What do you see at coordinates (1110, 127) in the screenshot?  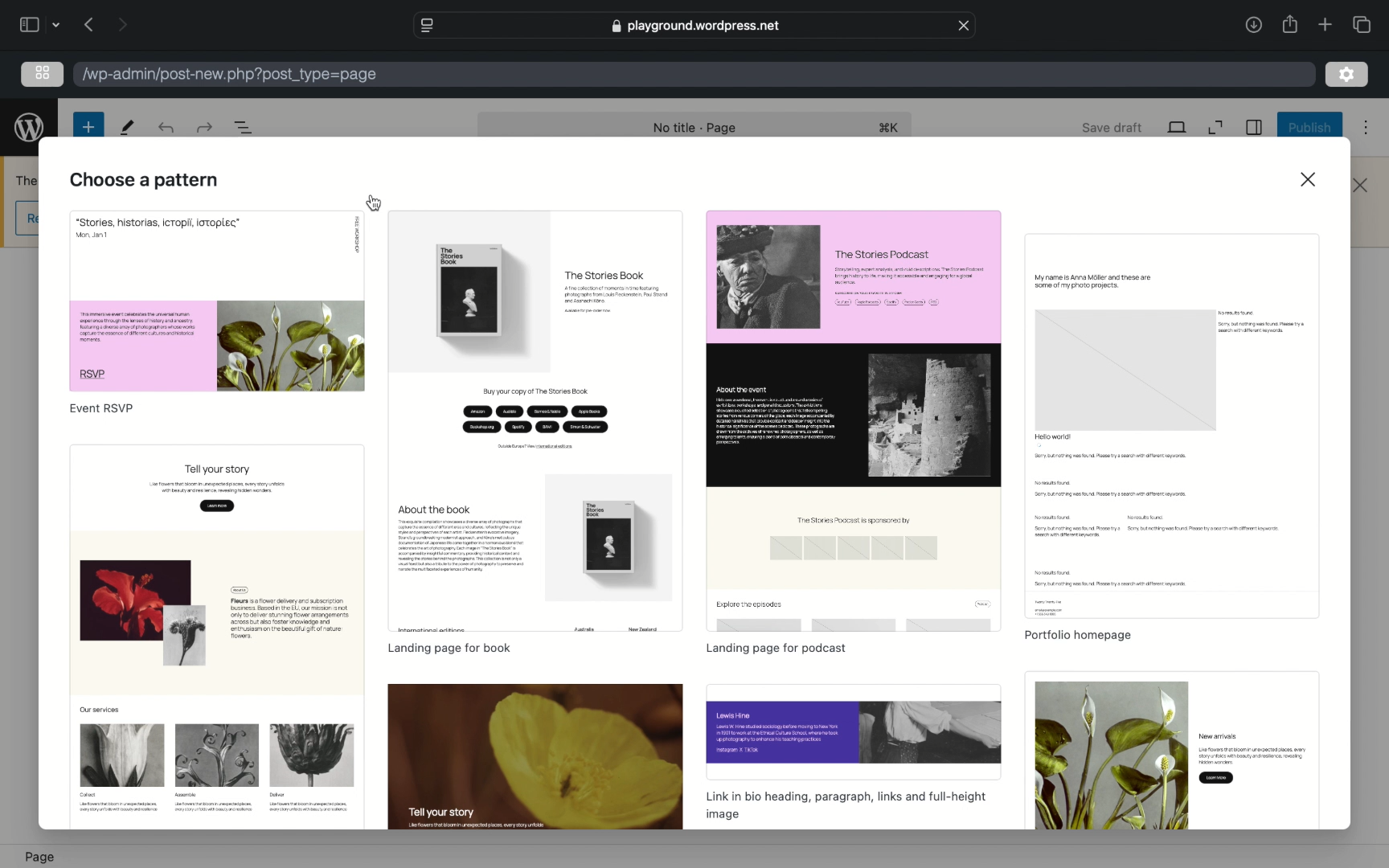 I see `save draft` at bounding box center [1110, 127].